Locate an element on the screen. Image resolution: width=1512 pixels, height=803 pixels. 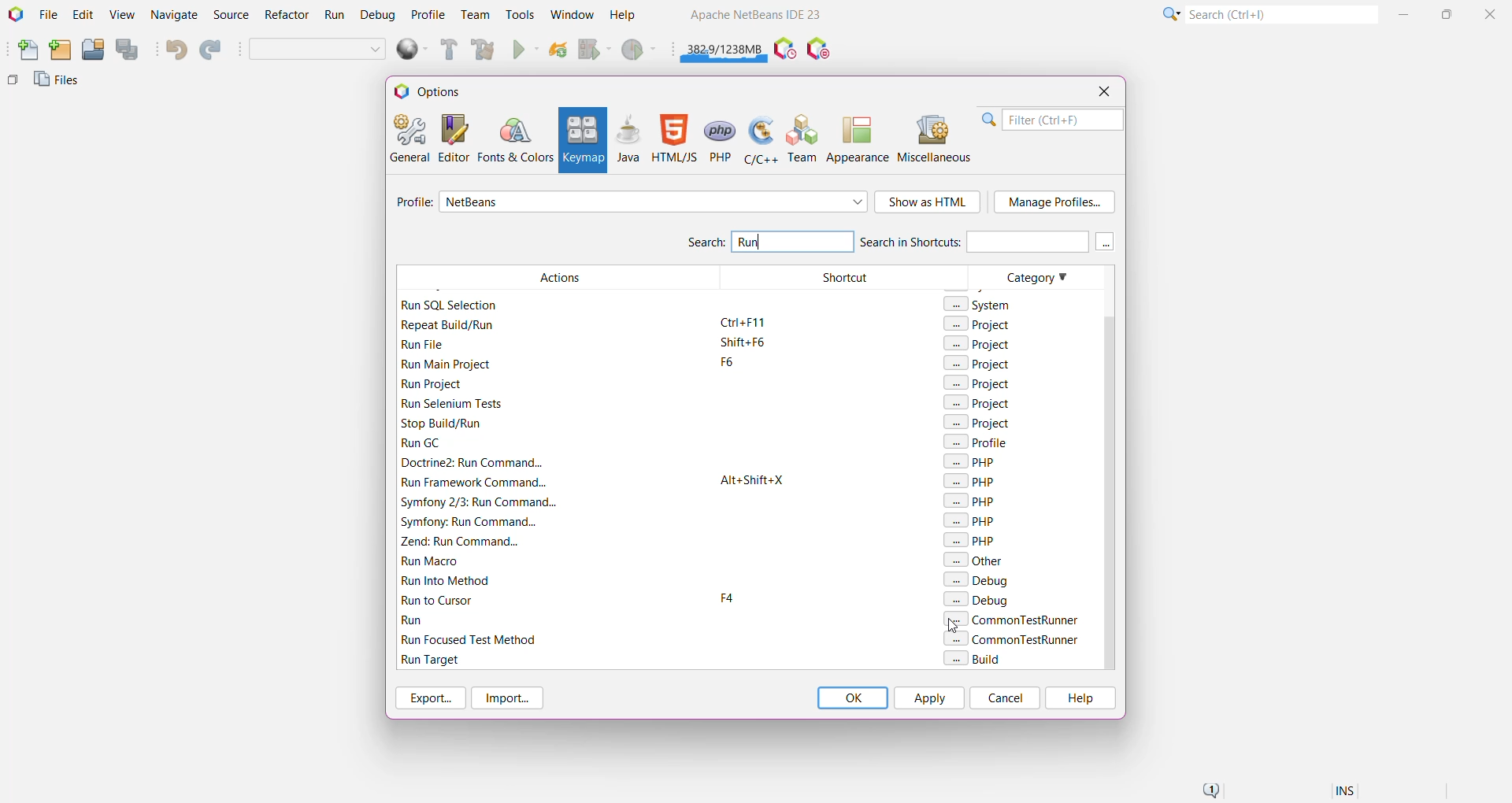
C/C++ is located at coordinates (759, 139).